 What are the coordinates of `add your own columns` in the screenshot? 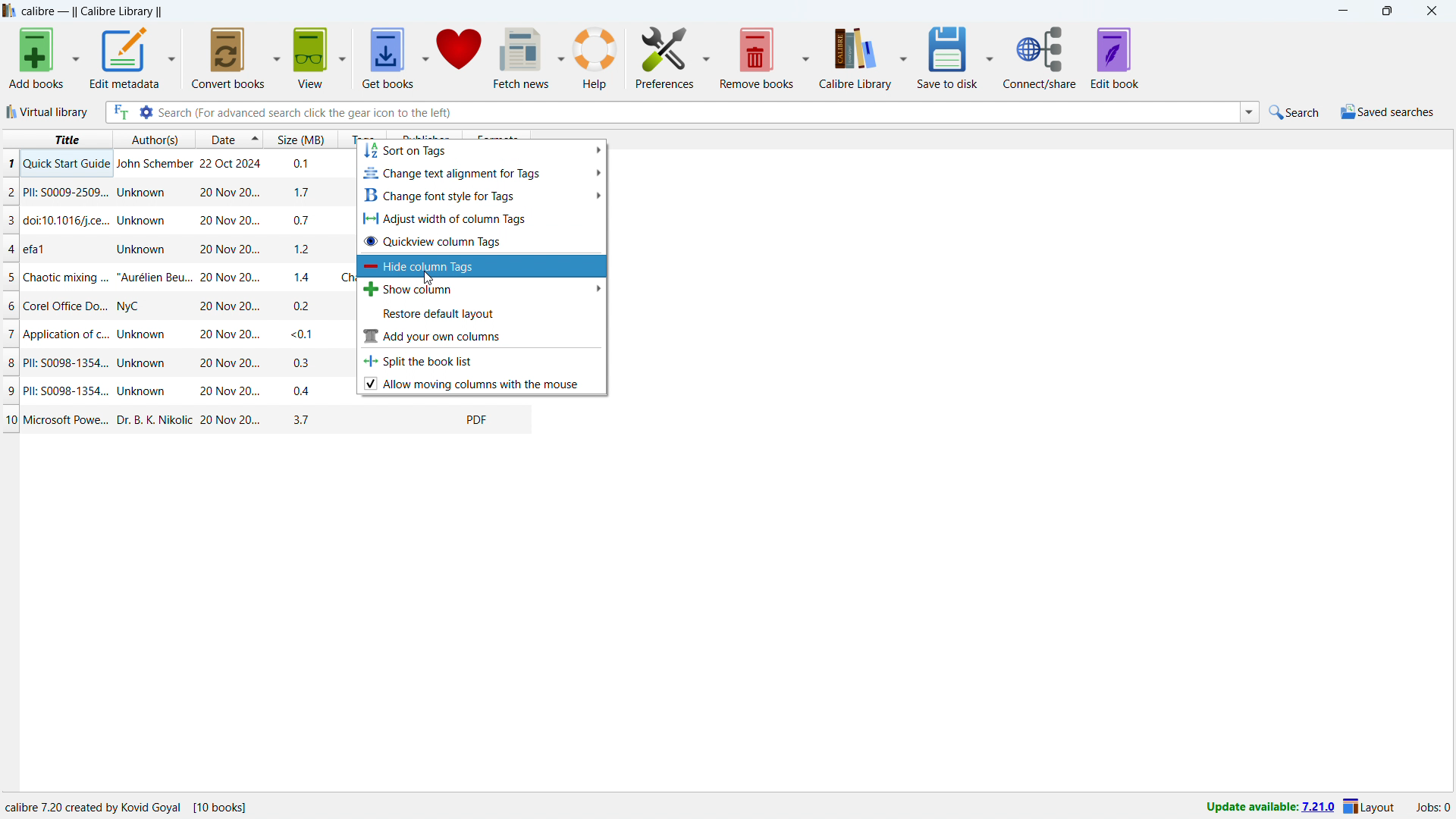 It's located at (481, 336).